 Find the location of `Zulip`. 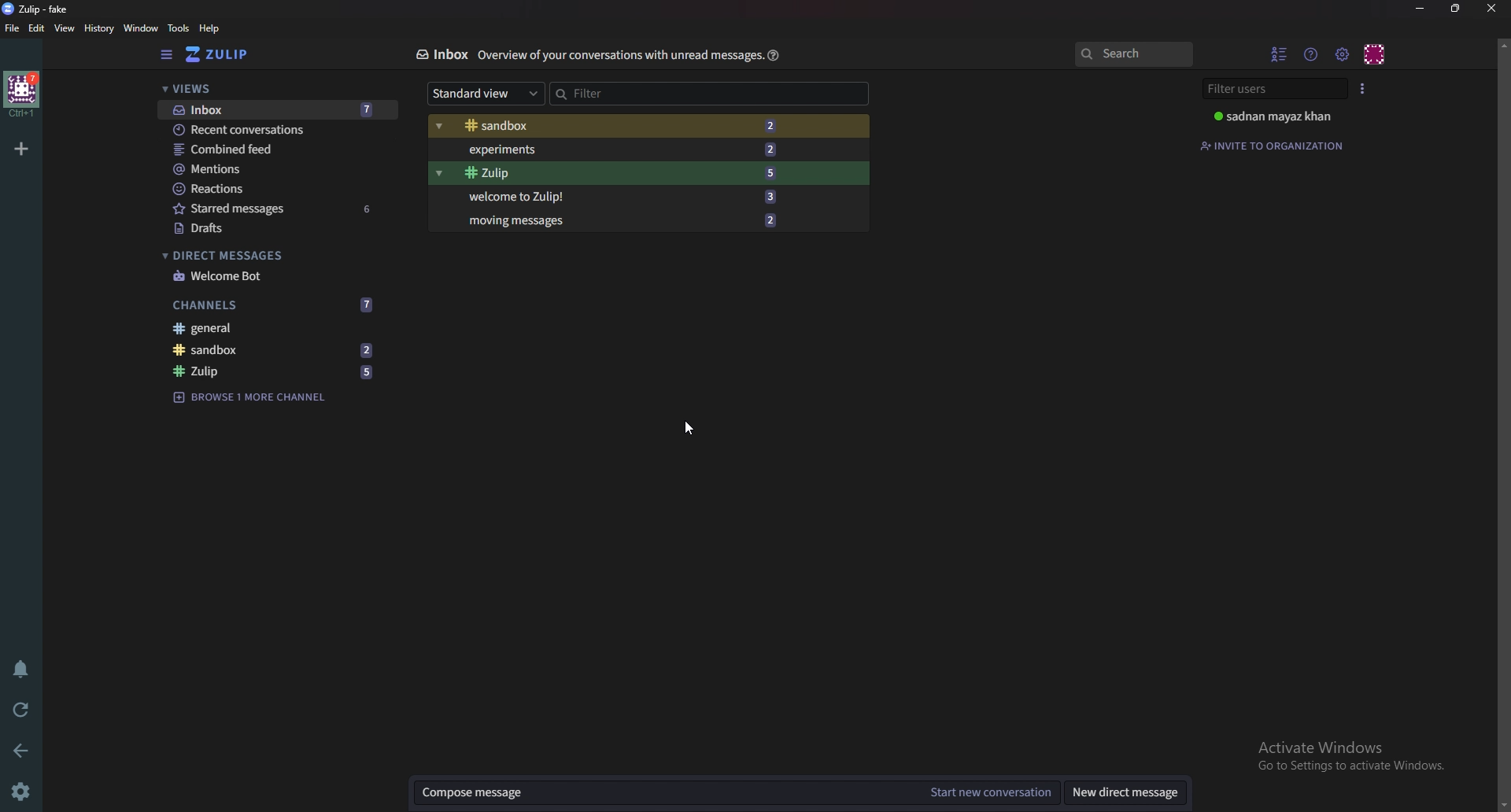

Zulip is located at coordinates (618, 173).